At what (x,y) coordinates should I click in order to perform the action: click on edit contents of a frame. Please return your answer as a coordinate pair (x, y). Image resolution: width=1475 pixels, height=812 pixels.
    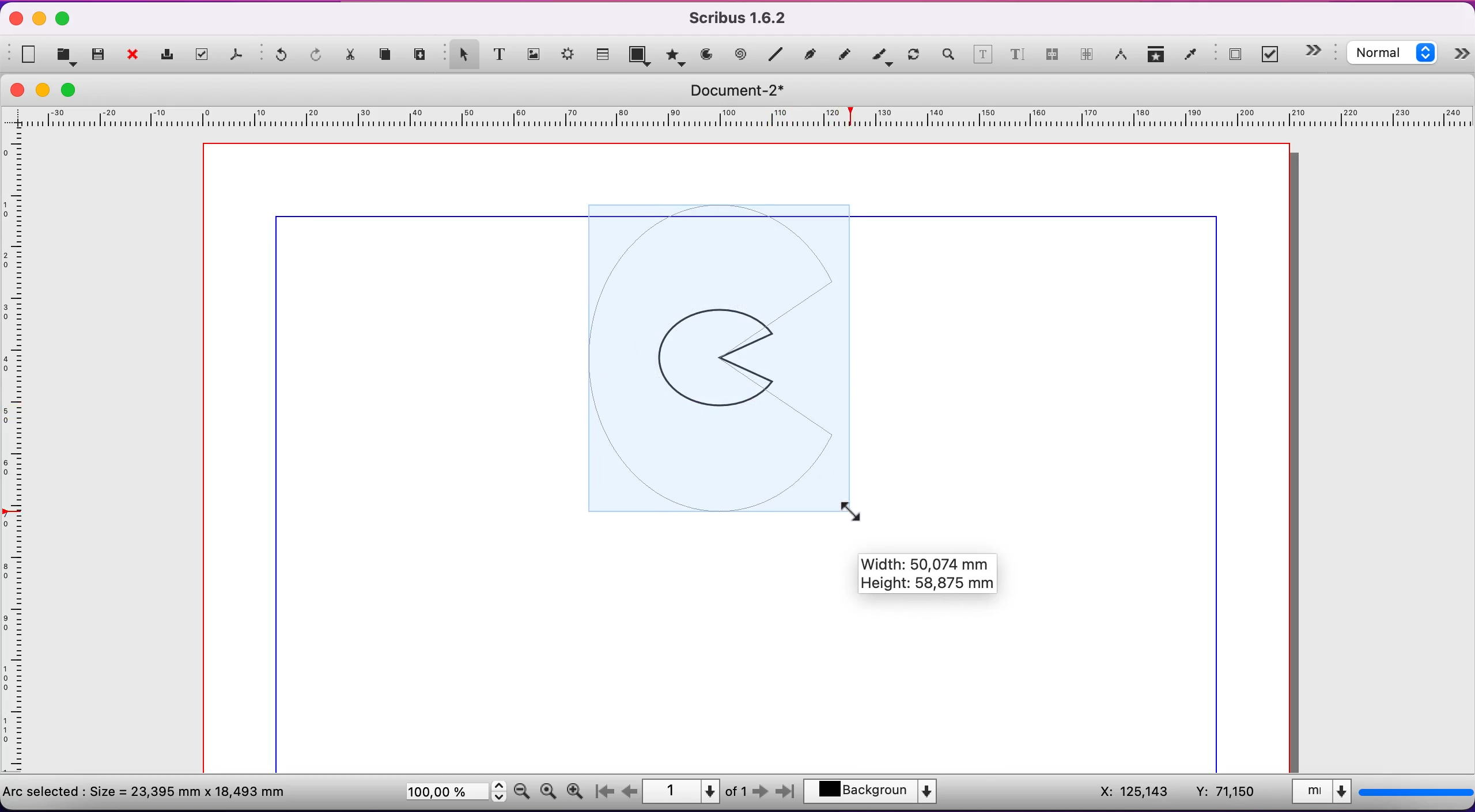
    Looking at the image, I should click on (983, 56).